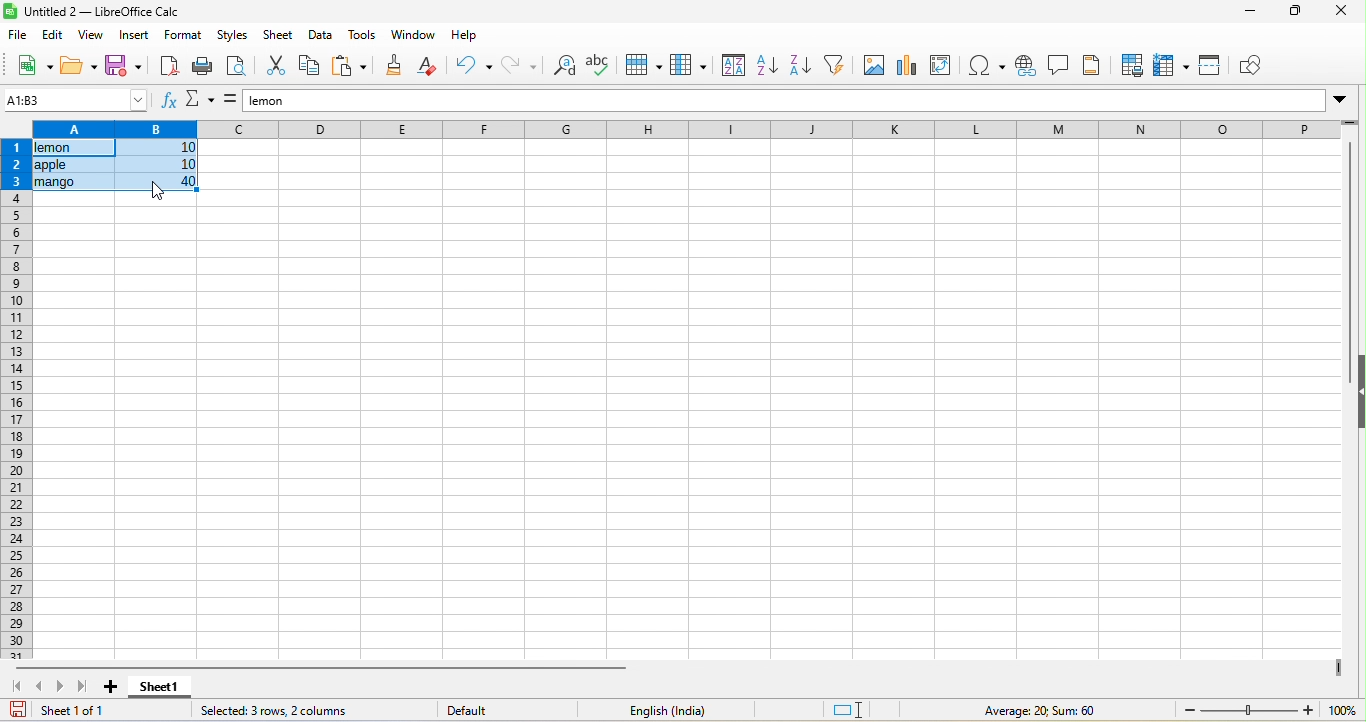 The width and height of the screenshot is (1366, 722). What do you see at coordinates (93, 37) in the screenshot?
I see `view` at bounding box center [93, 37].